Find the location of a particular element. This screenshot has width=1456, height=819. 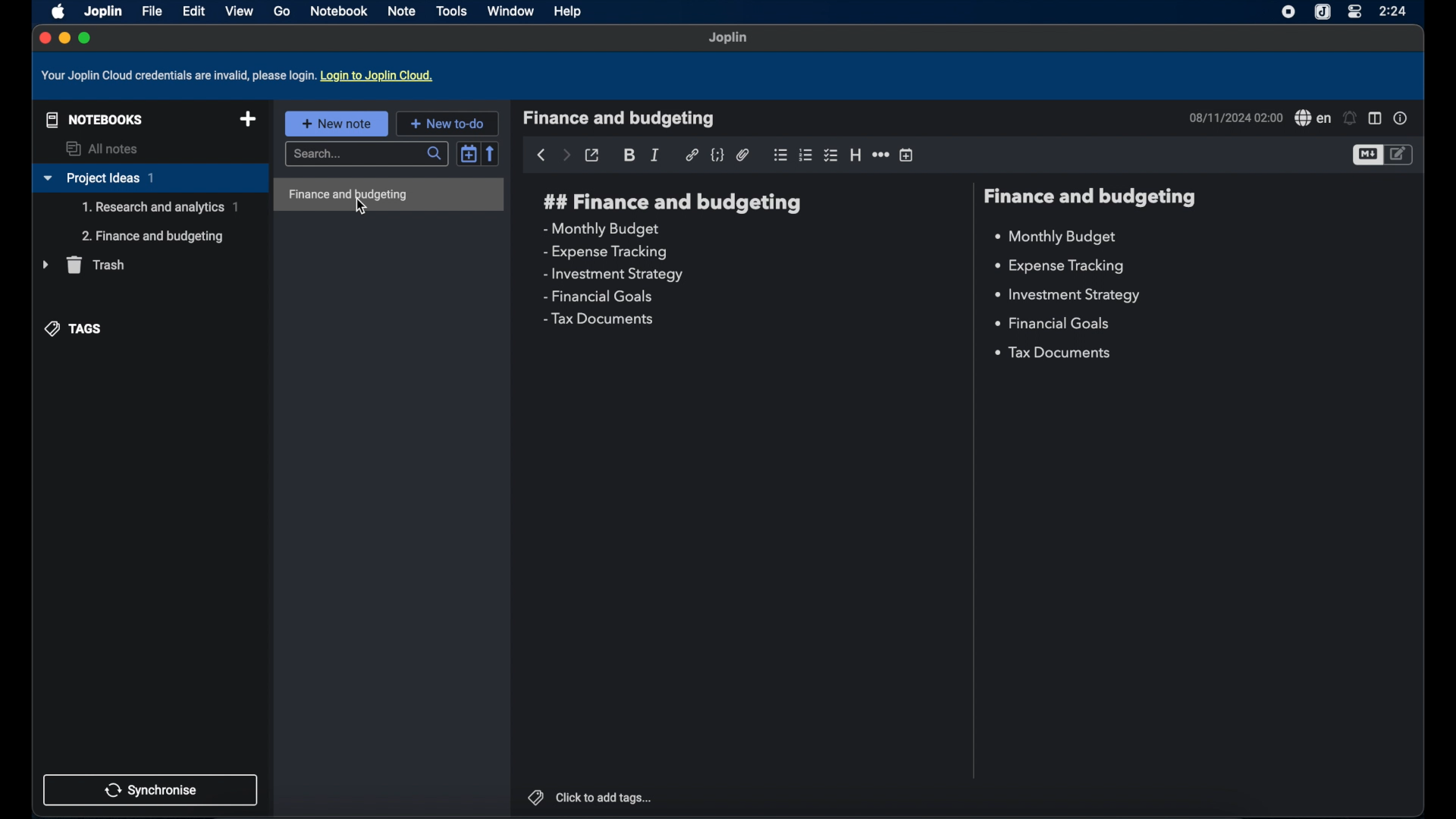

trash menu is located at coordinates (83, 265).